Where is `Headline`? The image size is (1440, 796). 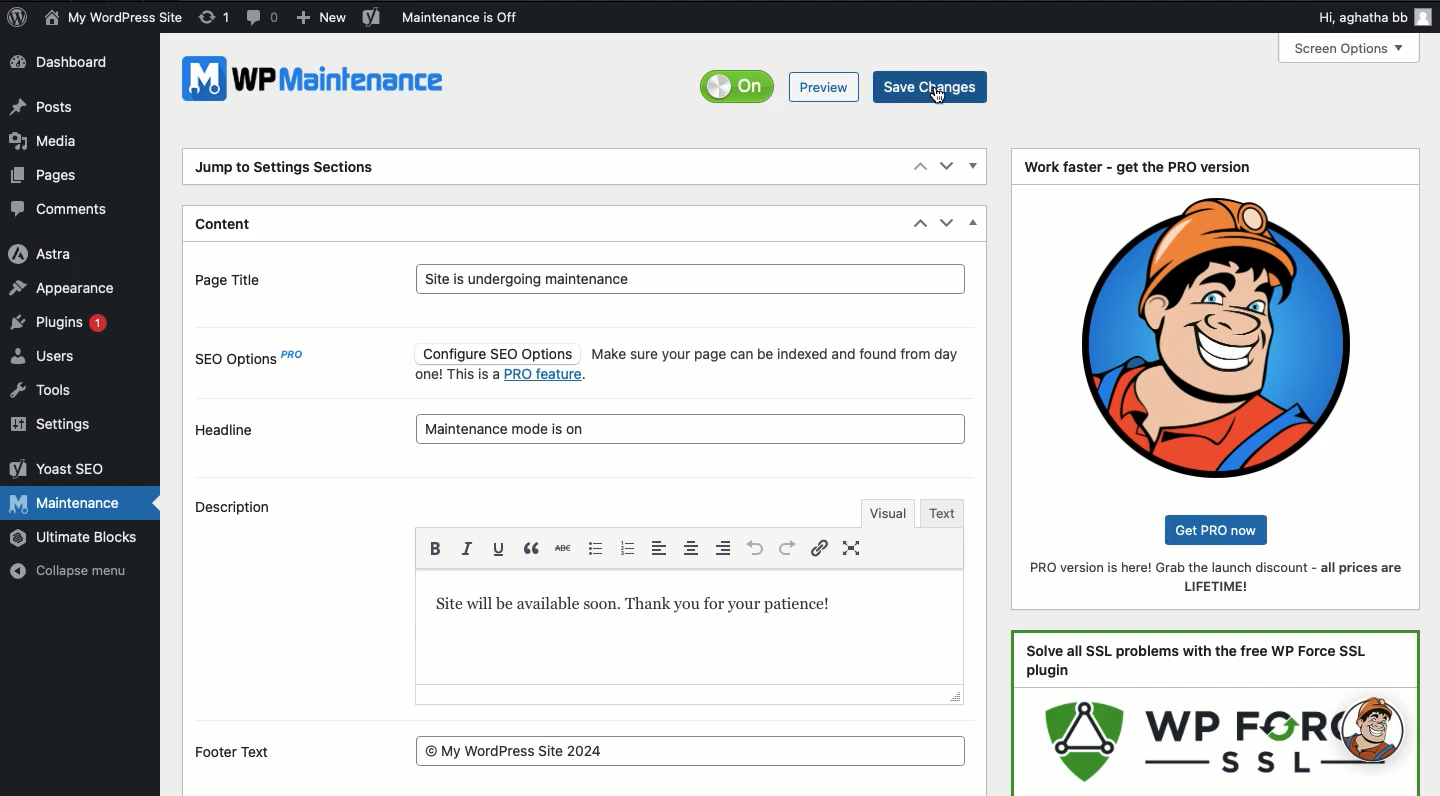
Headline is located at coordinates (226, 429).